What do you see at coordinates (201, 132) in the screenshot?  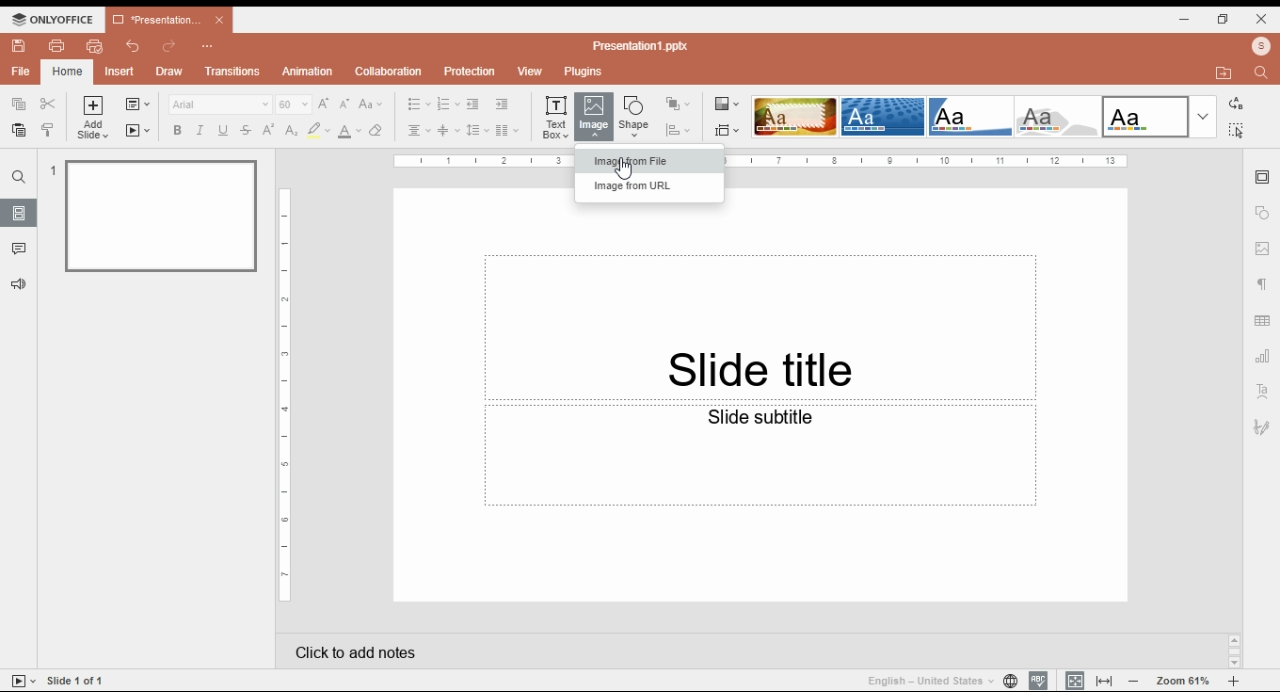 I see `italics` at bounding box center [201, 132].